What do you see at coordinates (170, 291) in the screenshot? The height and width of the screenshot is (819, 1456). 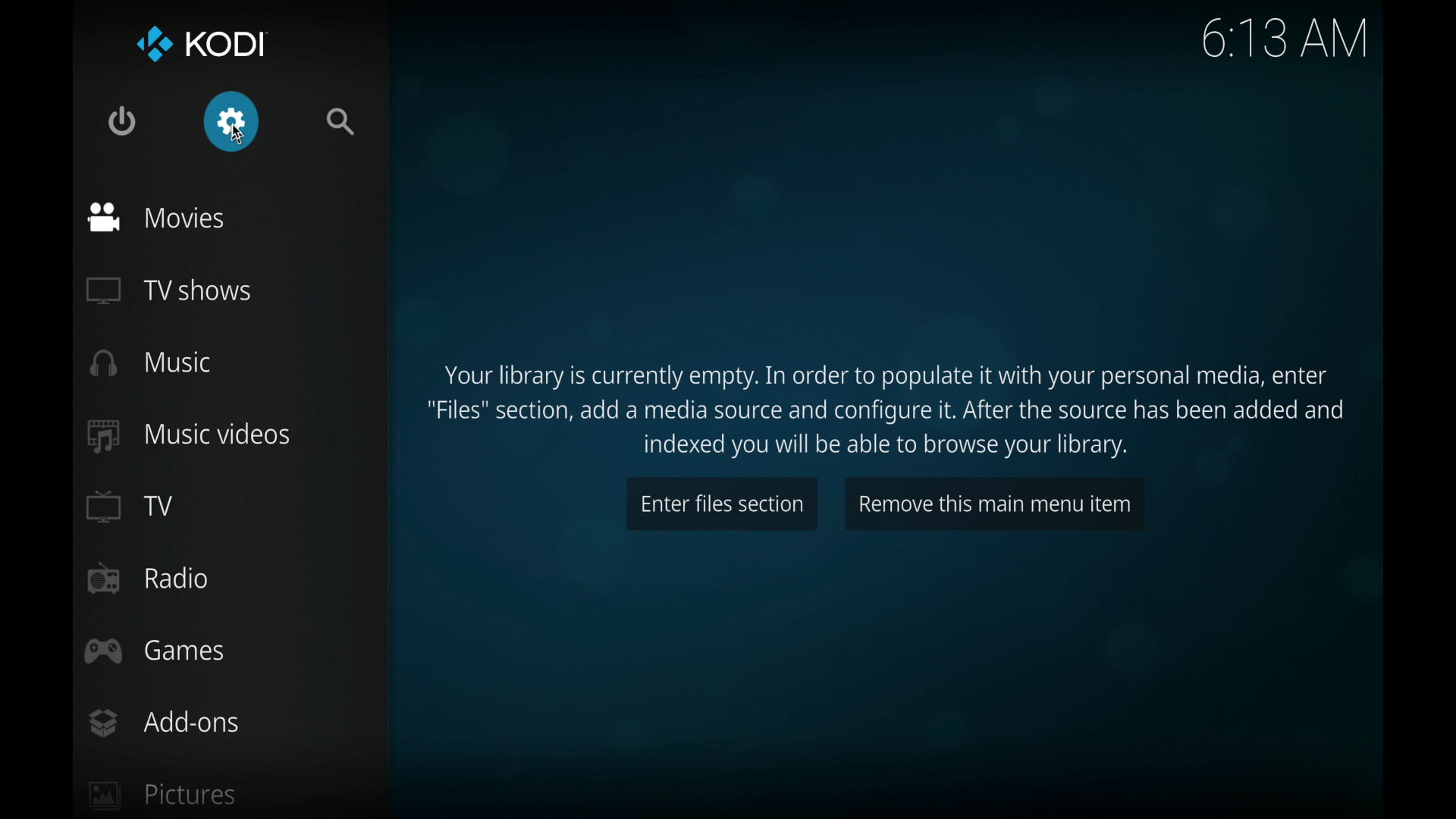 I see `tv shows` at bounding box center [170, 291].